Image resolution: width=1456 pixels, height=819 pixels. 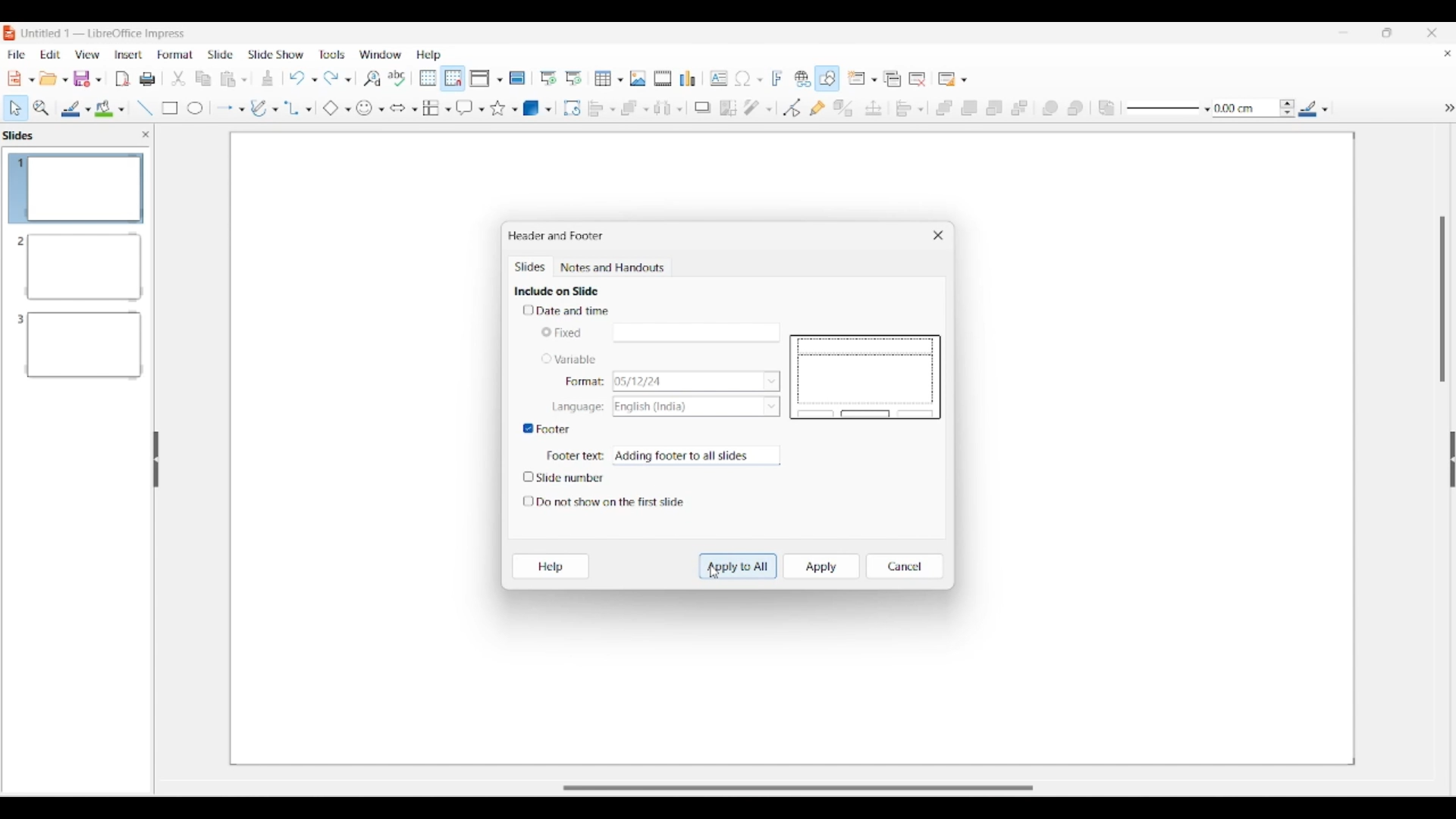 What do you see at coordinates (954, 79) in the screenshot?
I see `Slide layout` at bounding box center [954, 79].